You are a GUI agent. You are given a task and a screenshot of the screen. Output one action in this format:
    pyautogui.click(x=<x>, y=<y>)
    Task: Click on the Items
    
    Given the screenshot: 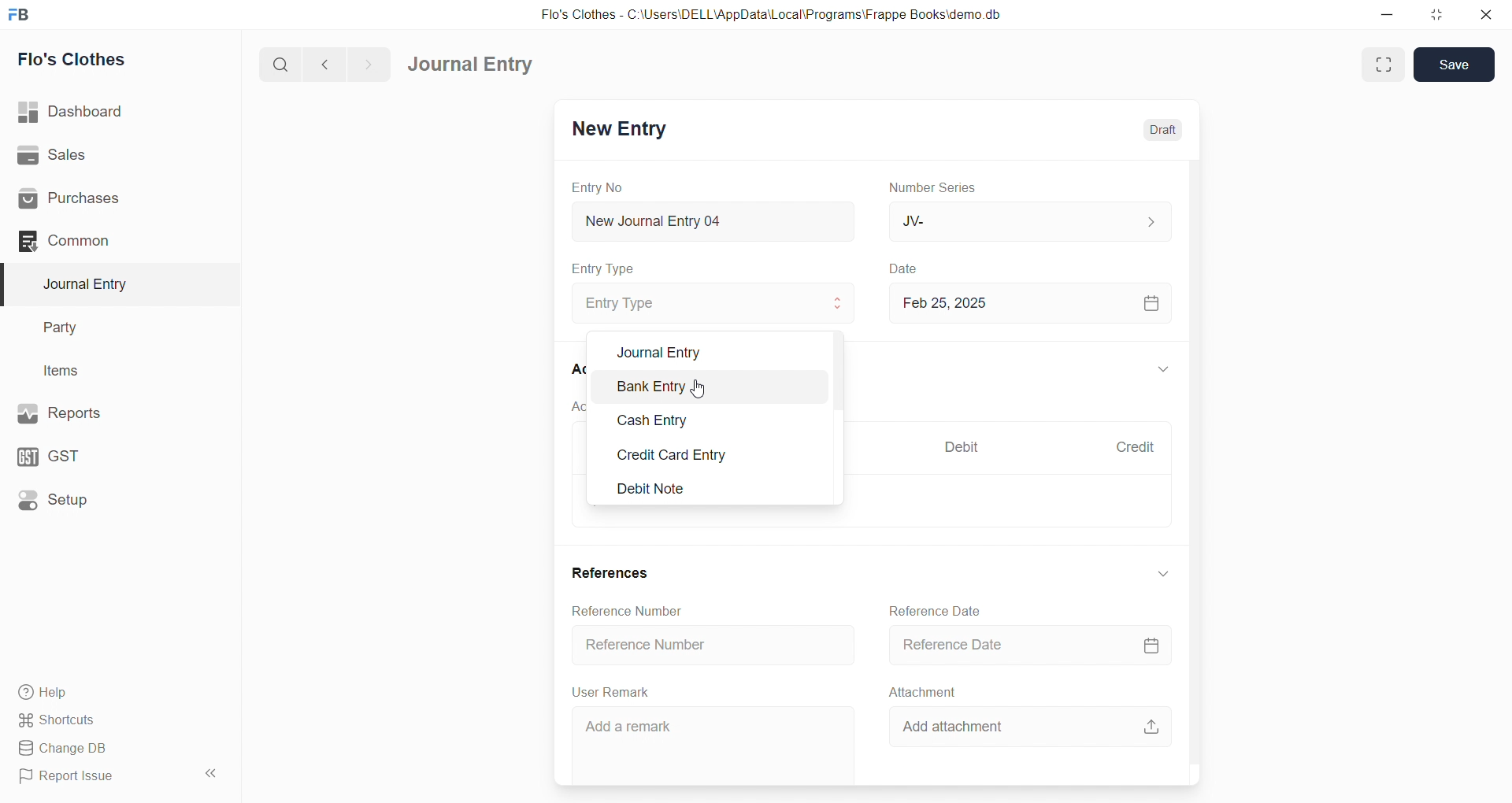 What is the action you would take?
    pyautogui.click(x=109, y=372)
    